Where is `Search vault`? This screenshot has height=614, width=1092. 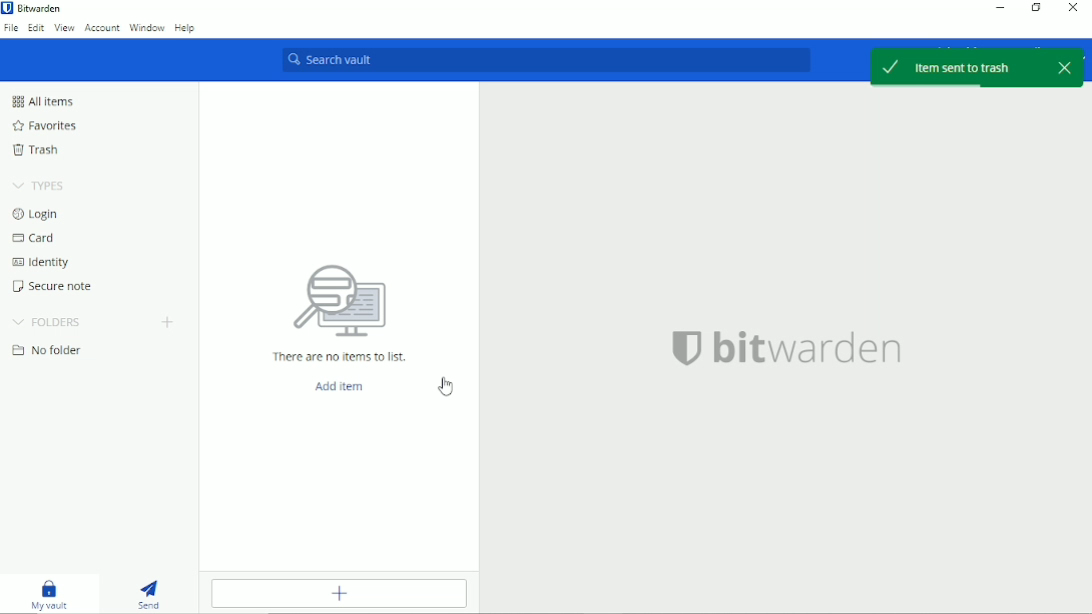 Search vault is located at coordinates (538, 61).